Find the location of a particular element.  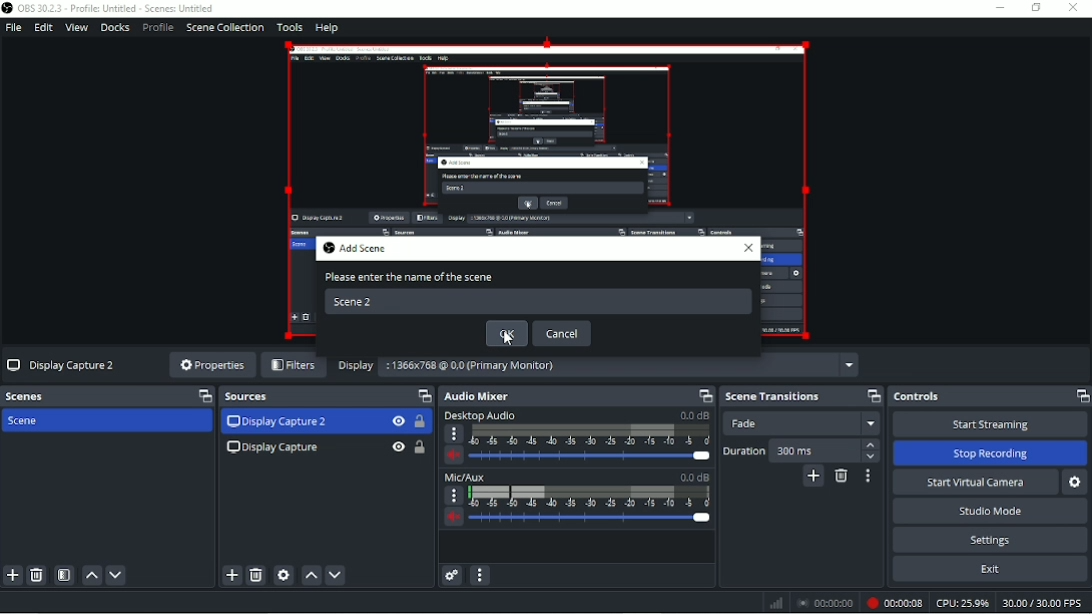

Remove configurable transition is located at coordinates (843, 477).